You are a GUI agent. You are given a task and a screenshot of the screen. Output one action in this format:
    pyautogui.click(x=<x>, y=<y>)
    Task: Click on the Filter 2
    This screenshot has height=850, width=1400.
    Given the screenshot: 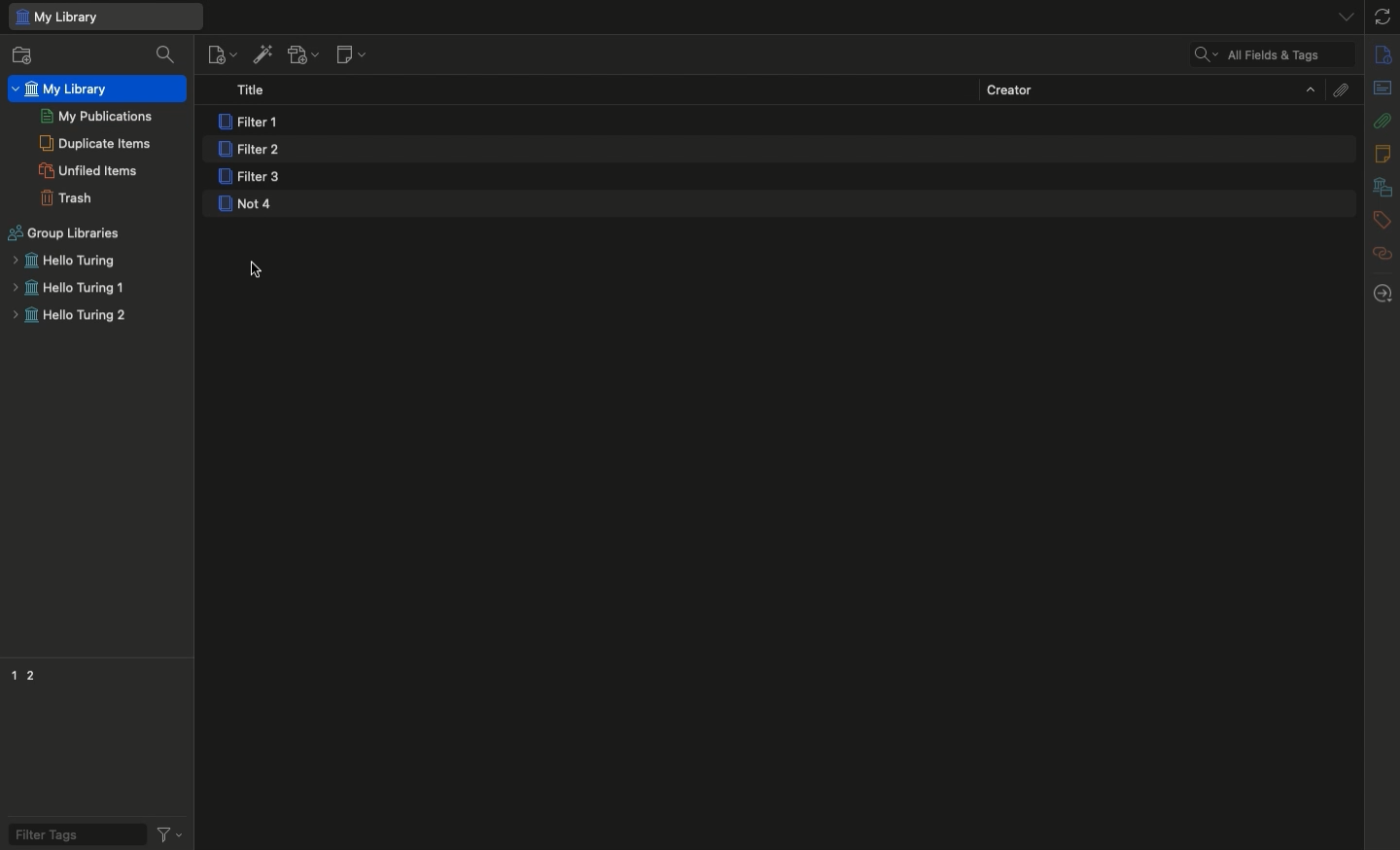 What is the action you would take?
    pyautogui.click(x=248, y=151)
    